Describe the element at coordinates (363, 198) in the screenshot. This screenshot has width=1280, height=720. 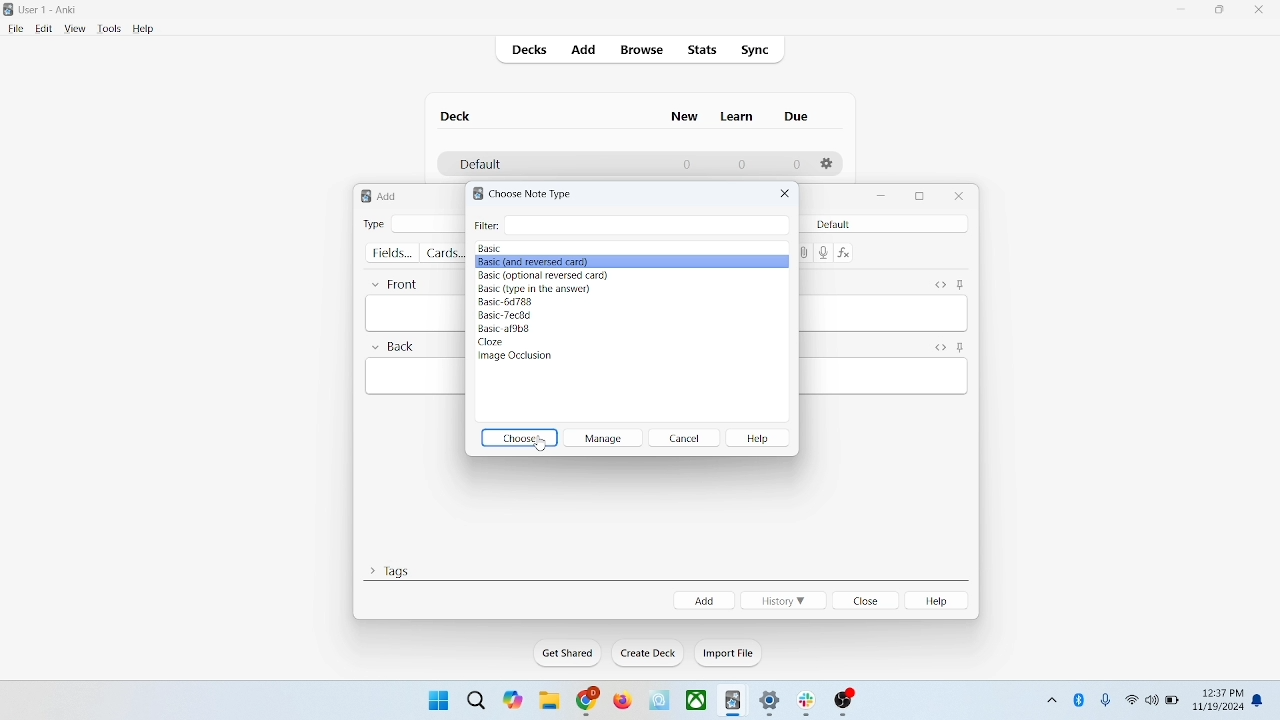
I see `logo` at that location.